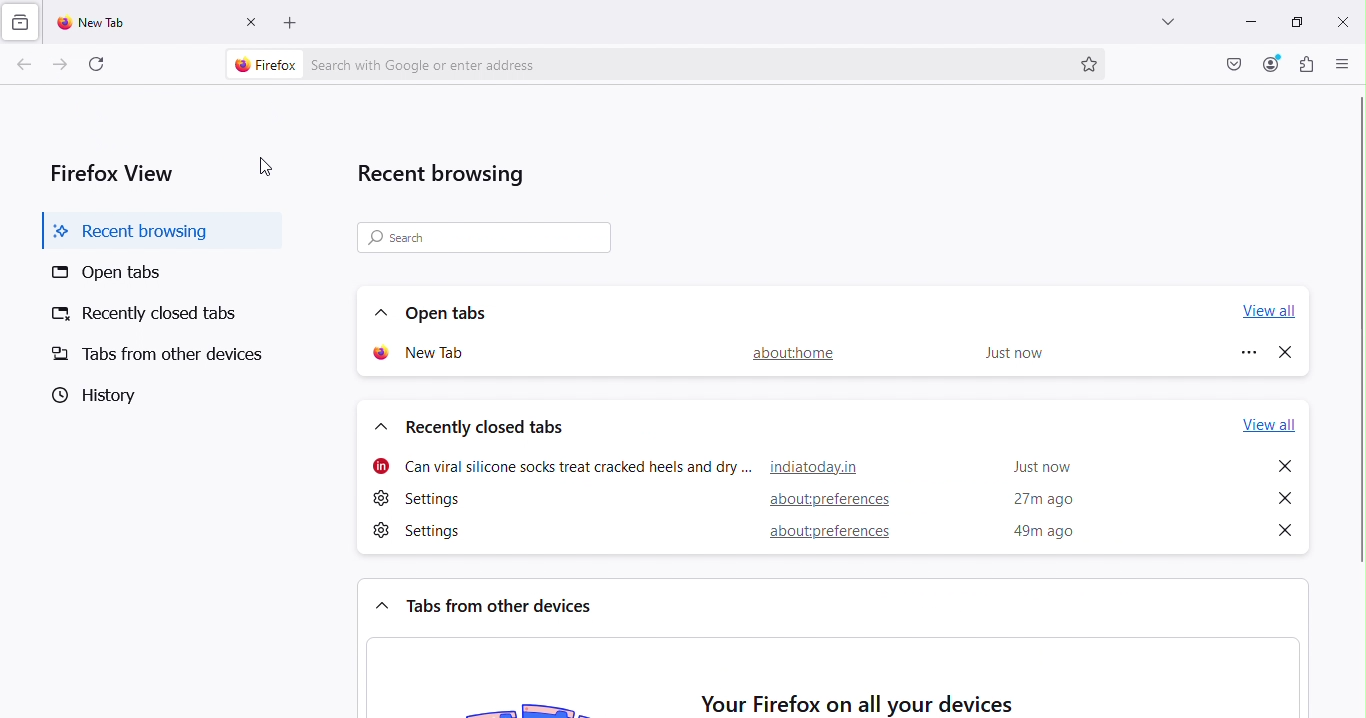 The width and height of the screenshot is (1366, 718). What do you see at coordinates (1241, 353) in the screenshot?
I see `Options for new tab` at bounding box center [1241, 353].